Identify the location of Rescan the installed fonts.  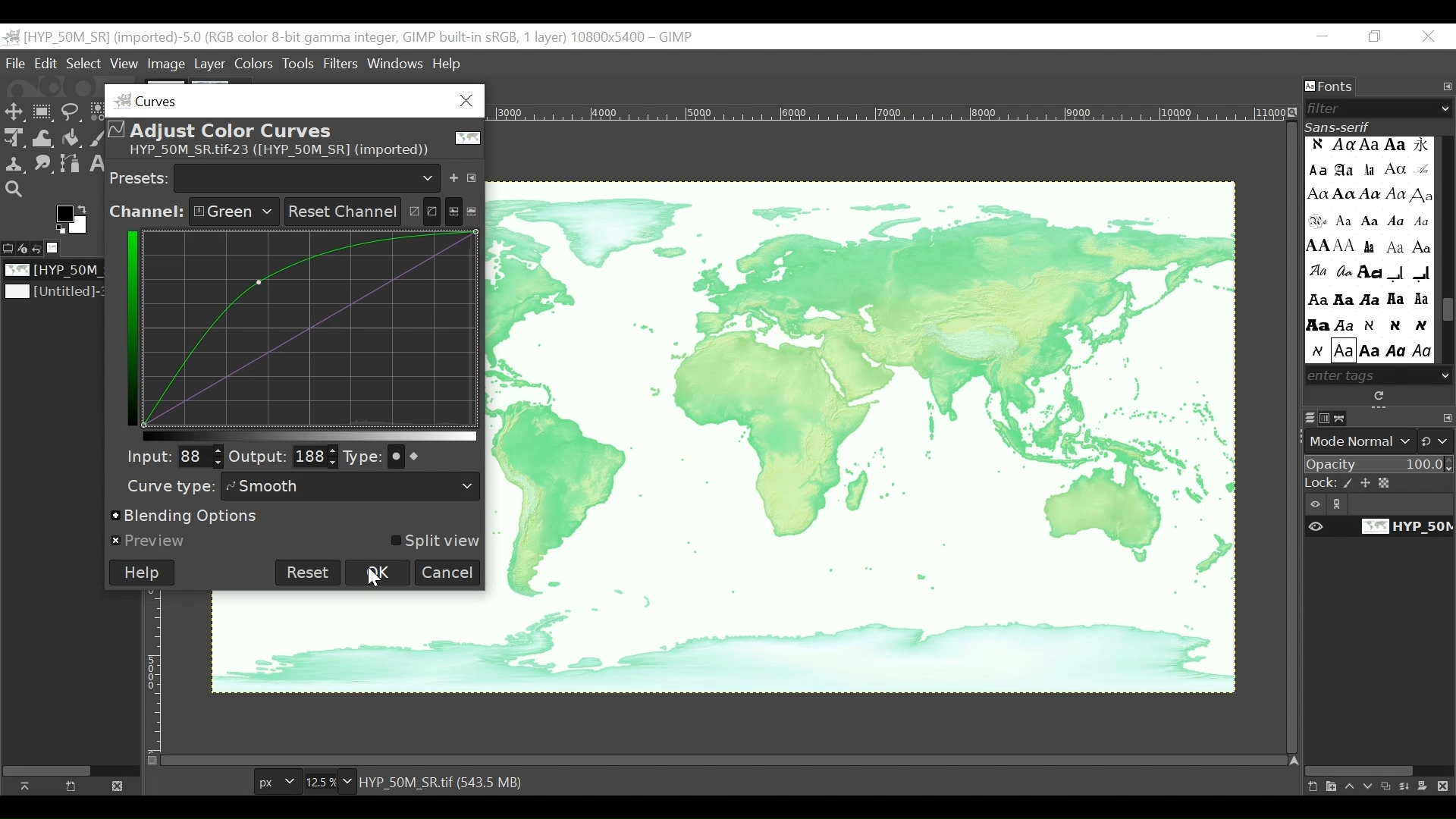
(1381, 396).